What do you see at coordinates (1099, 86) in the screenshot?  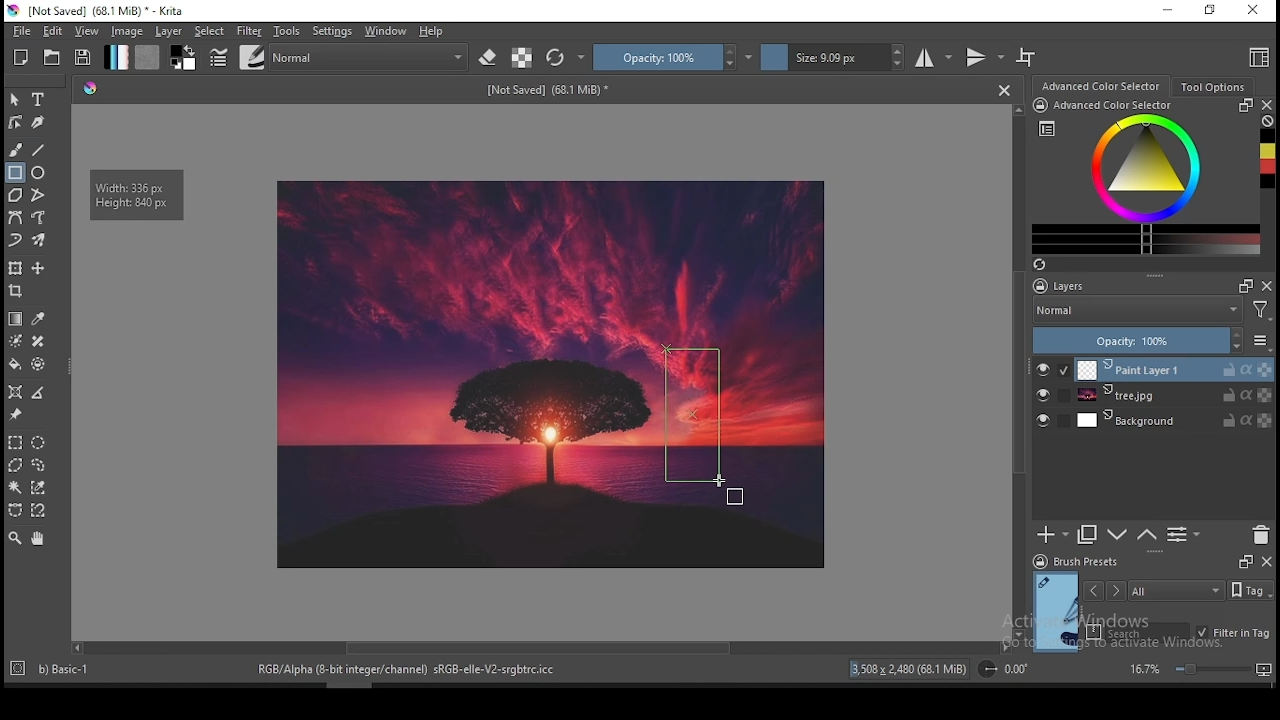 I see `advance color selector` at bounding box center [1099, 86].